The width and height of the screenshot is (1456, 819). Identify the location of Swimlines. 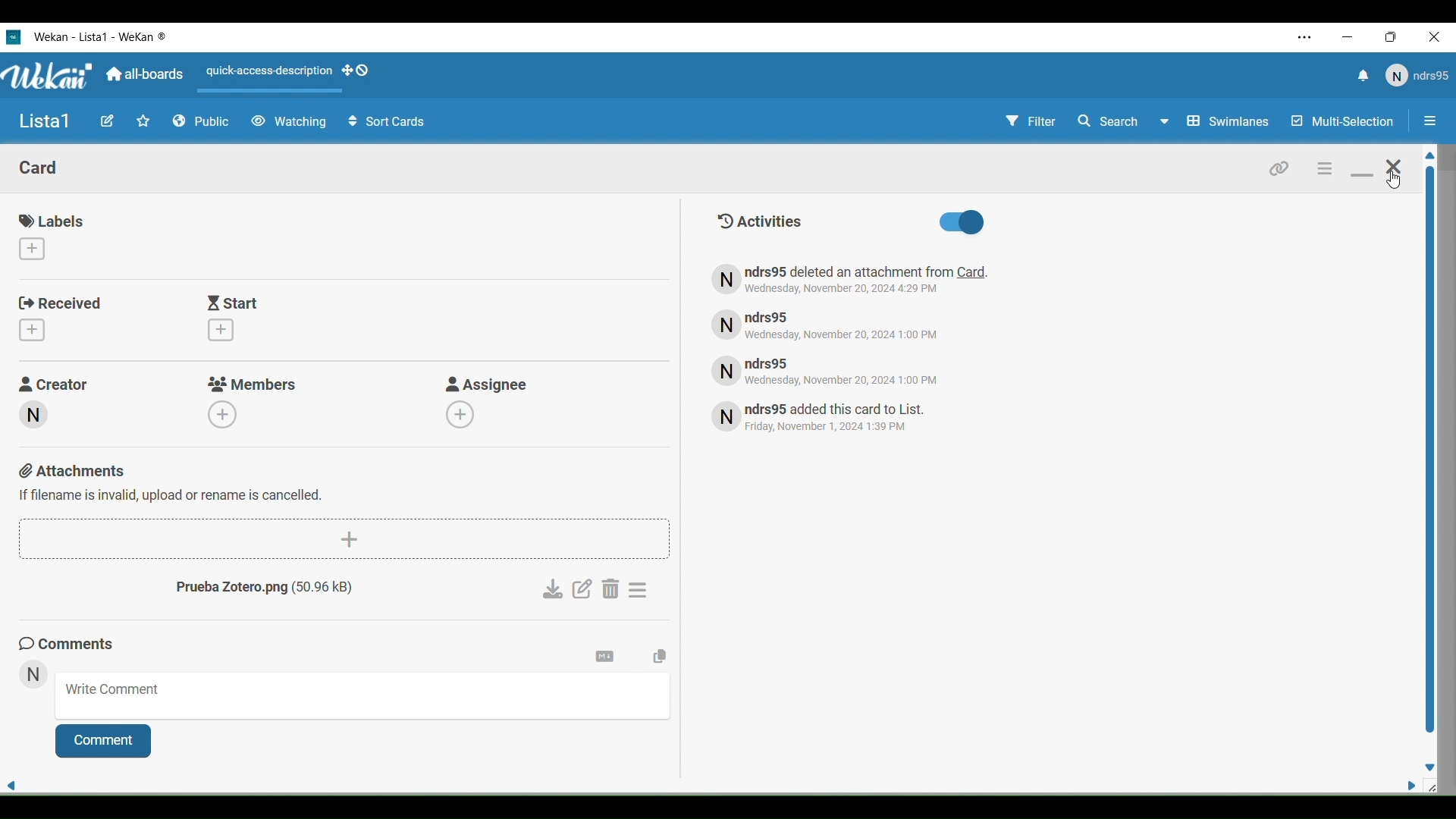
(1230, 121).